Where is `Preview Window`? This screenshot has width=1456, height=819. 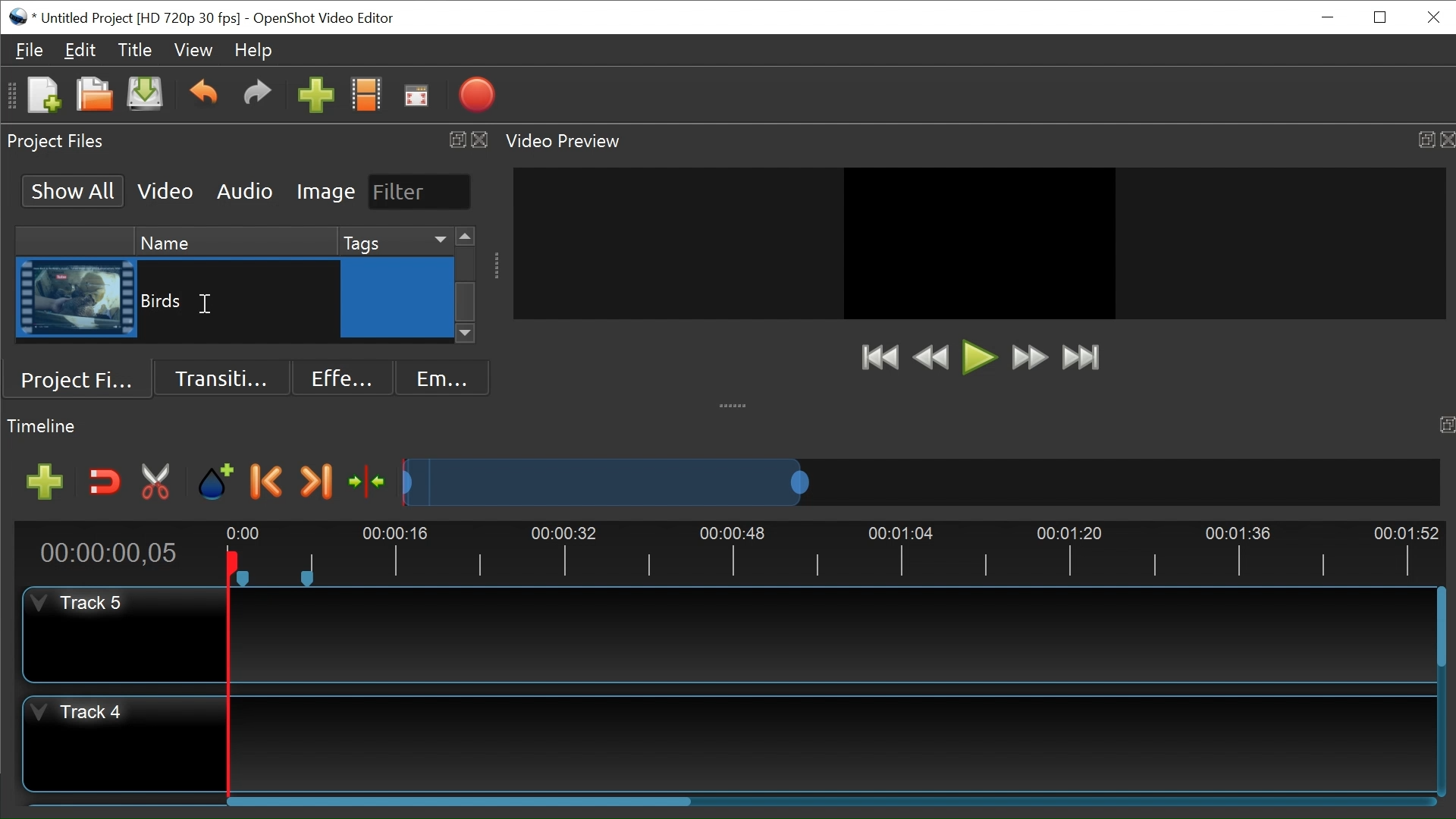 Preview Window is located at coordinates (979, 243).